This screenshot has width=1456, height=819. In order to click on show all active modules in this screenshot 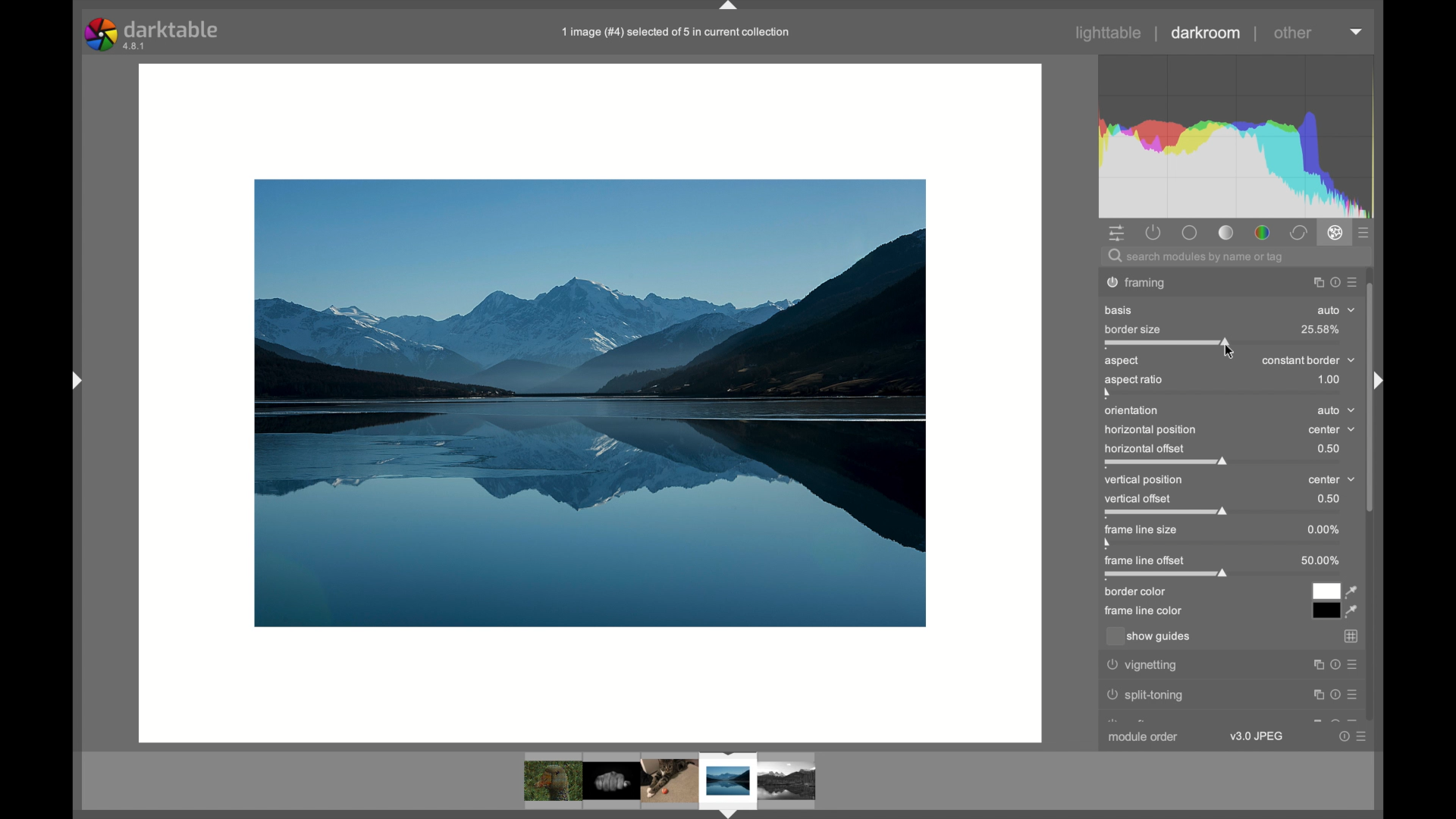, I will do `click(1155, 233)`.